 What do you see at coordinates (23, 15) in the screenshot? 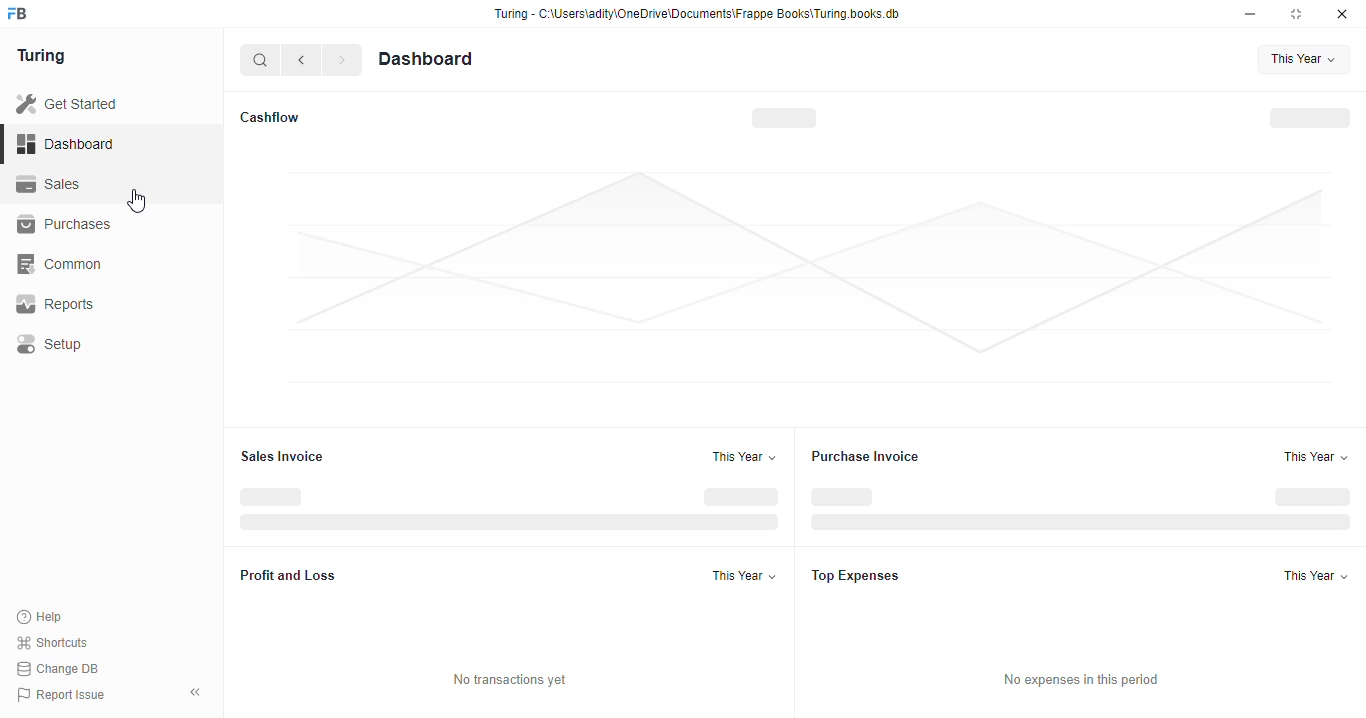
I see `frappebooks logo` at bounding box center [23, 15].